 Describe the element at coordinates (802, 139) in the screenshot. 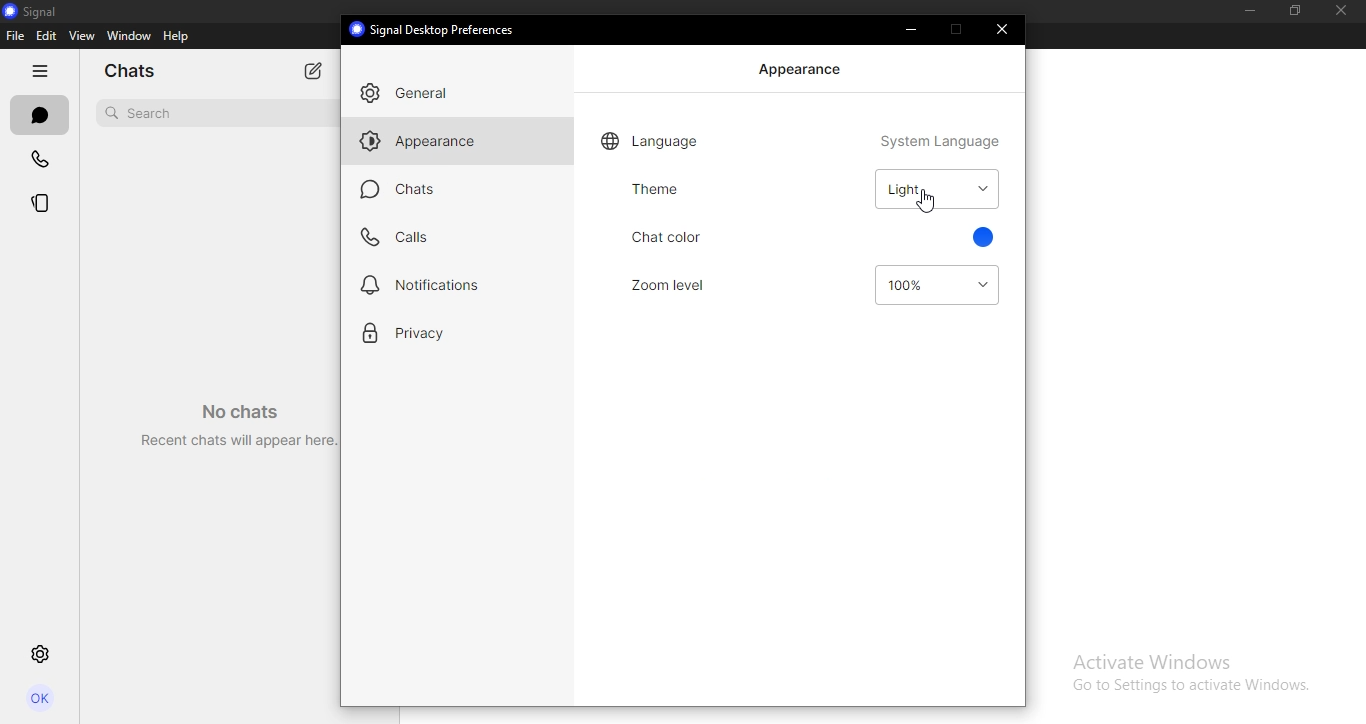

I see `language system language` at that location.